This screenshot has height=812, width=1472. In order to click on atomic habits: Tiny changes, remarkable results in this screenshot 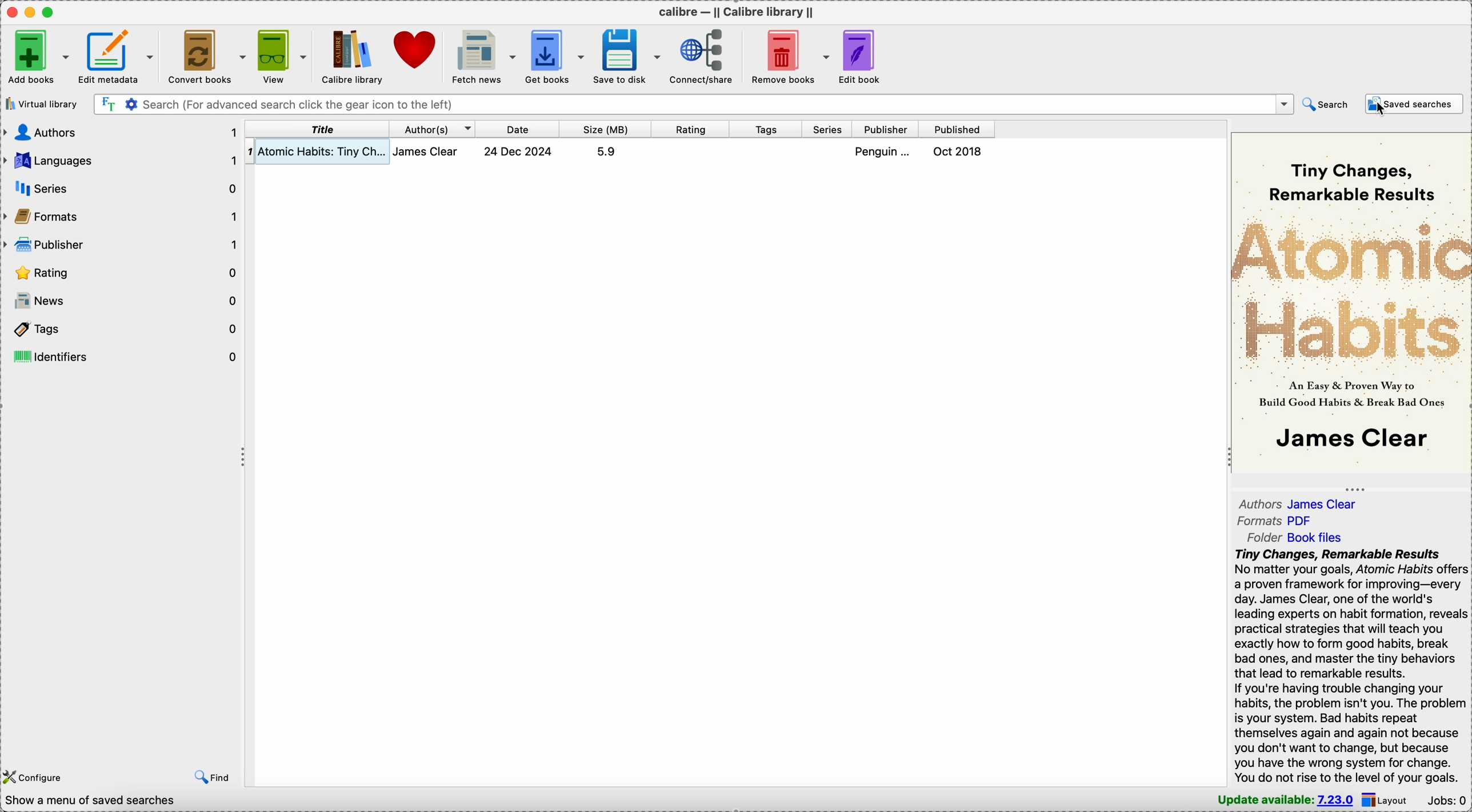, I will do `click(323, 152)`.